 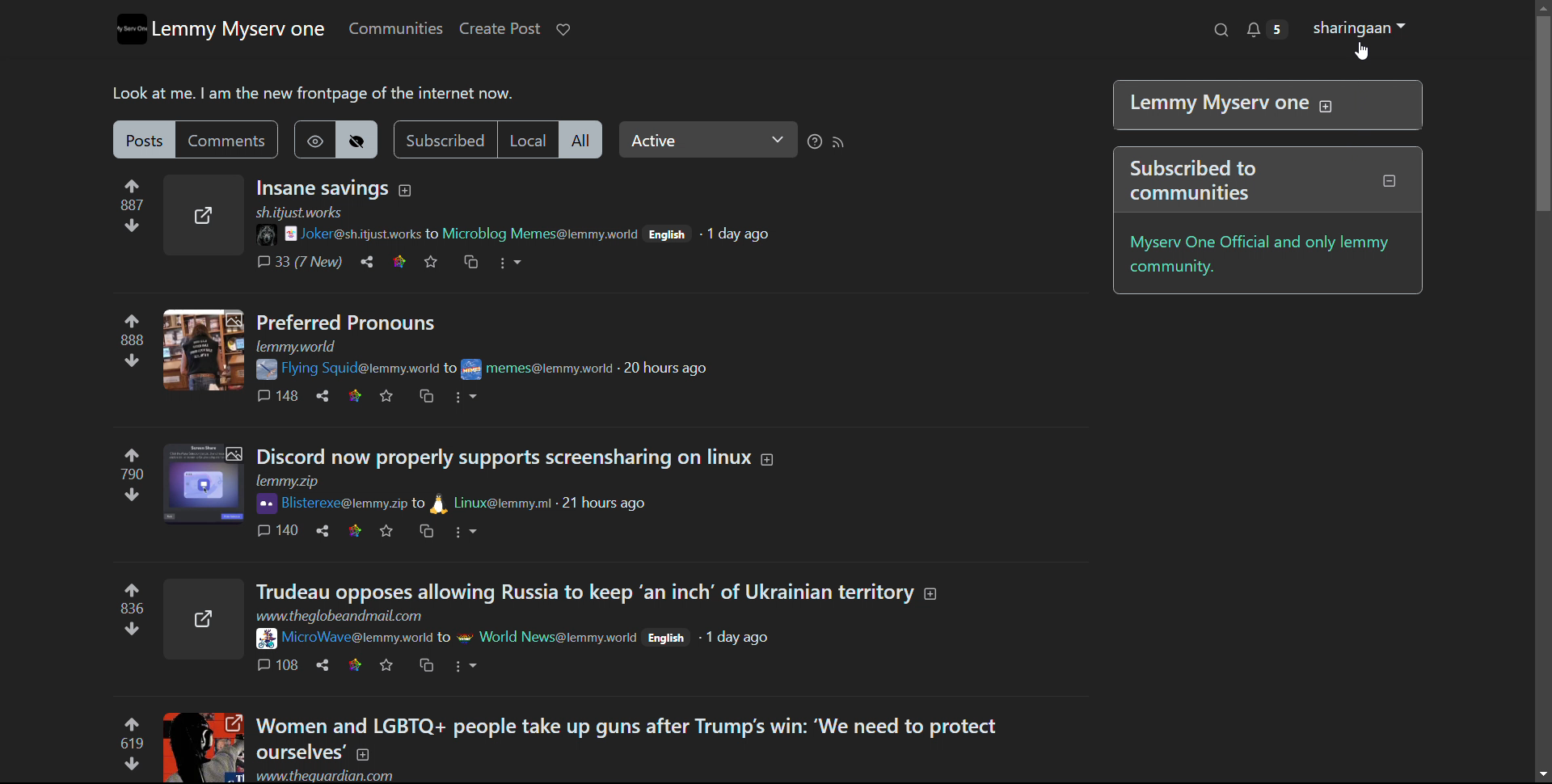 I want to click on local, so click(x=527, y=139).